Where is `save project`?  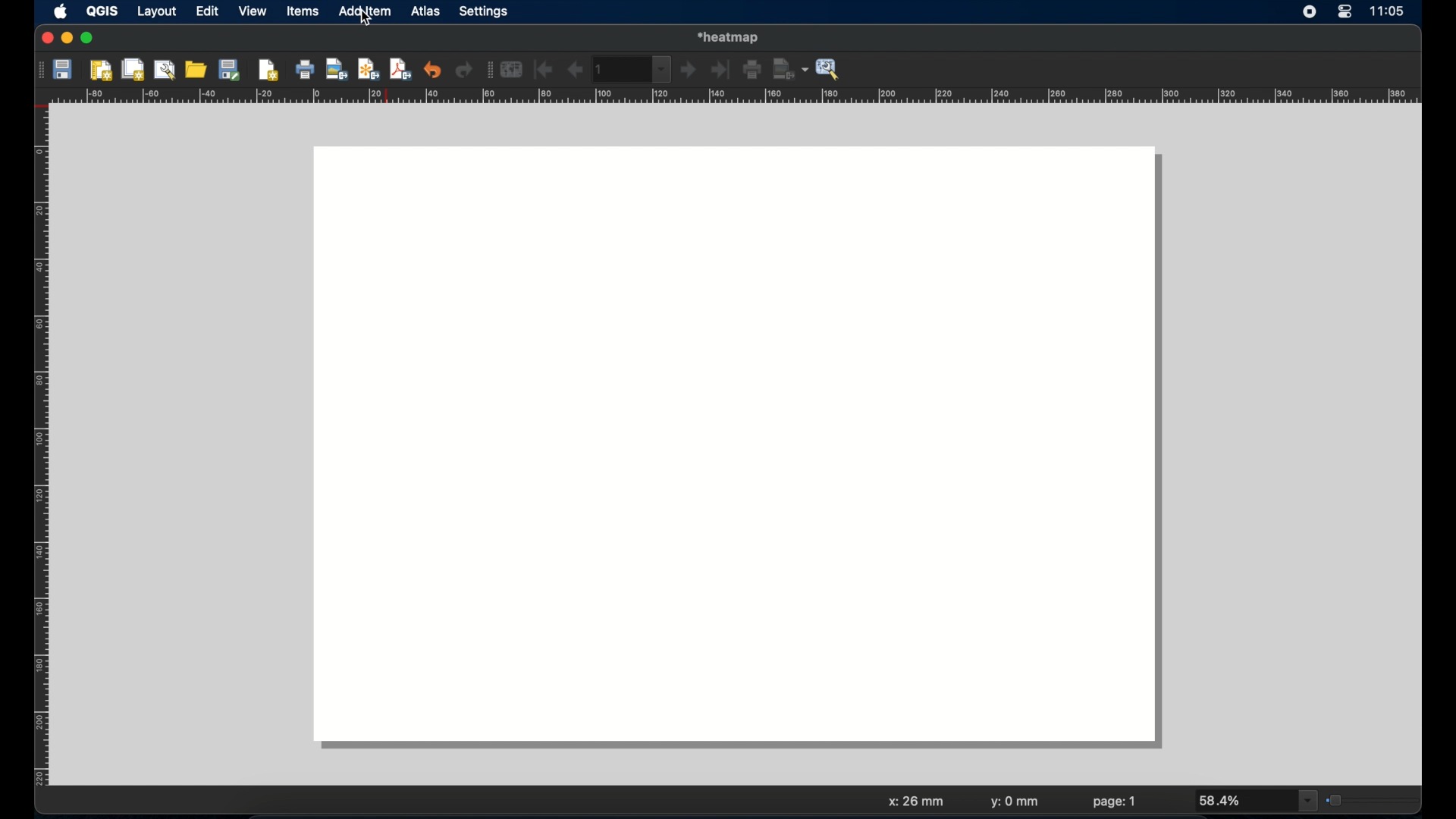
save project is located at coordinates (64, 71).